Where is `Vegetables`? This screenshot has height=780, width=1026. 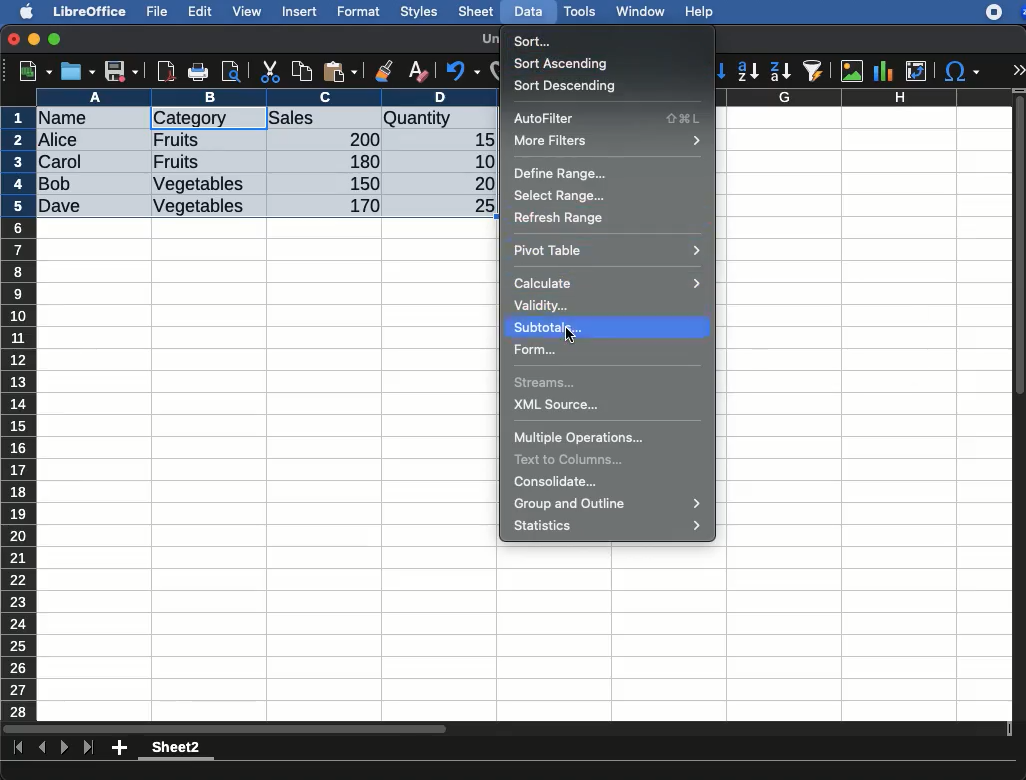 Vegetables is located at coordinates (200, 185).